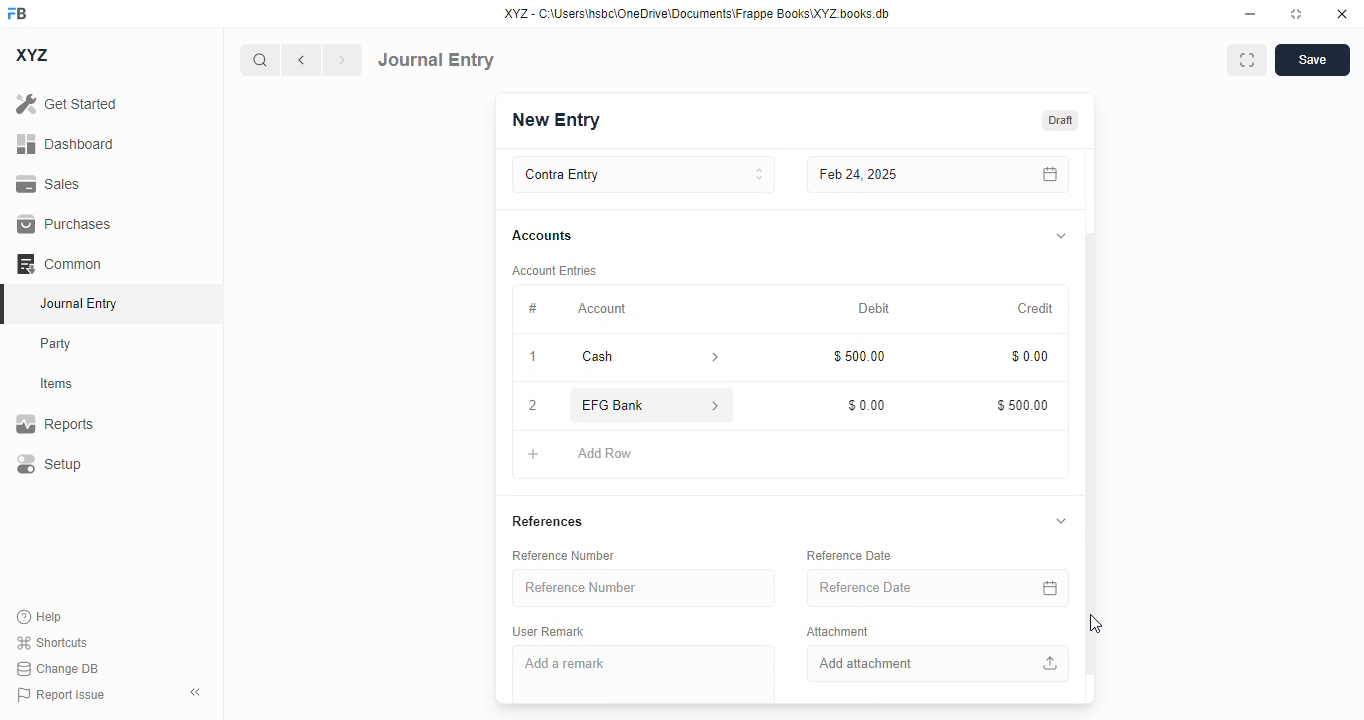  I want to click on previous, so click(301, 60).